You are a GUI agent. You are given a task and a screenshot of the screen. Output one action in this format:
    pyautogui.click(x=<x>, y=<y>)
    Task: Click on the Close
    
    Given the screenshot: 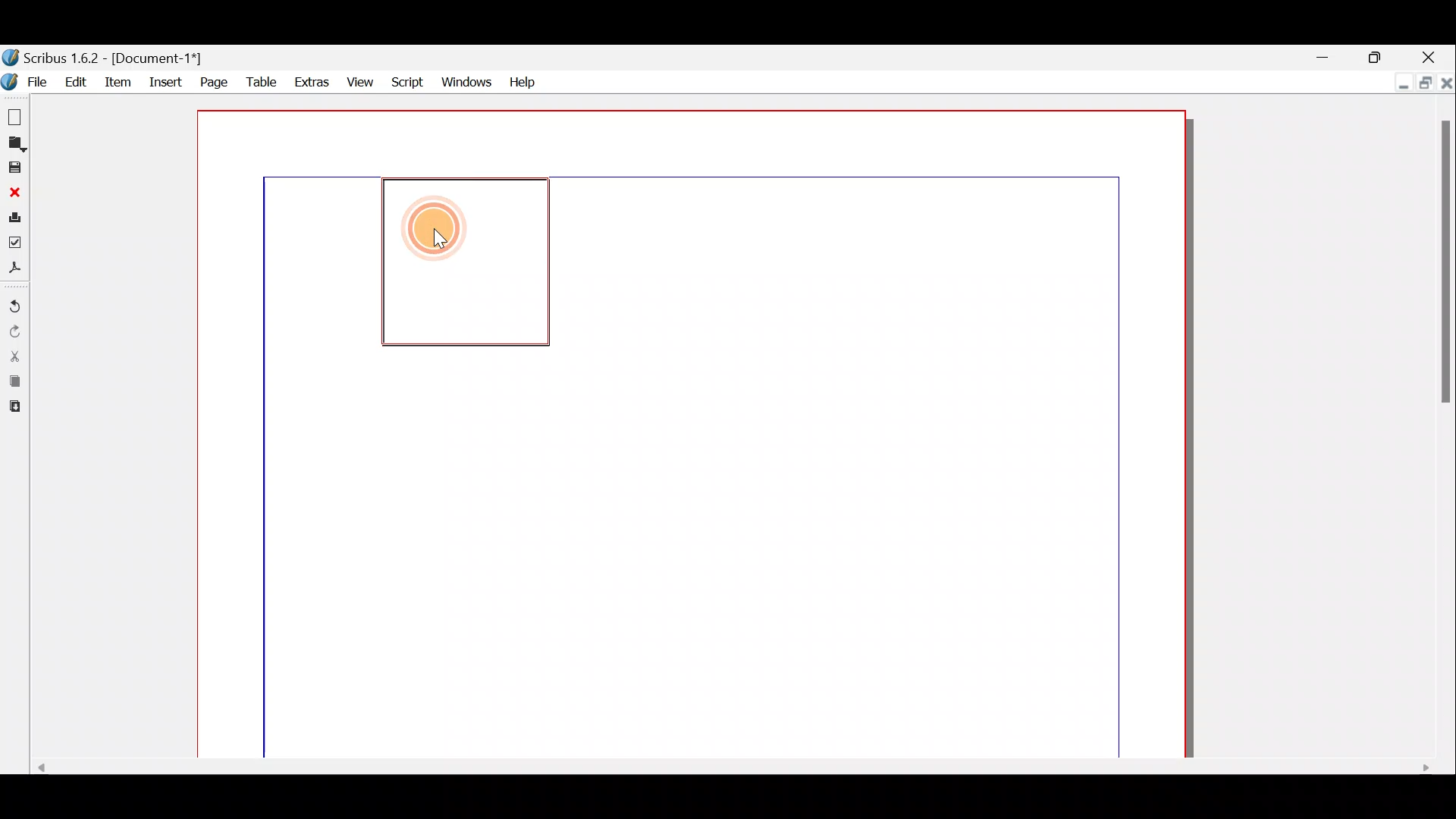 What is the action you would take?
    pyautogui.click(x=14, y=193)
    